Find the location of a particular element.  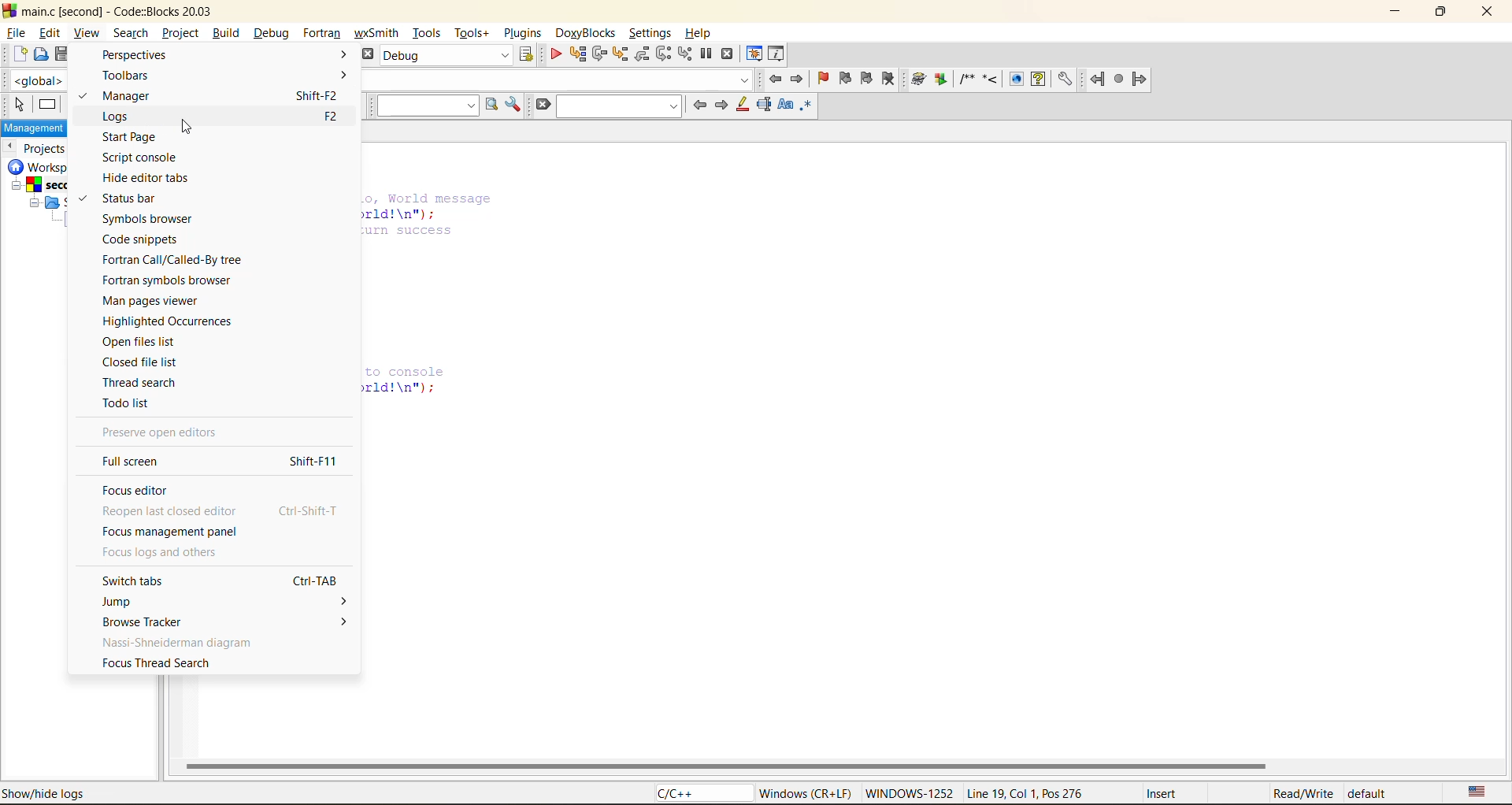

view is located at coordinates (86, 33).